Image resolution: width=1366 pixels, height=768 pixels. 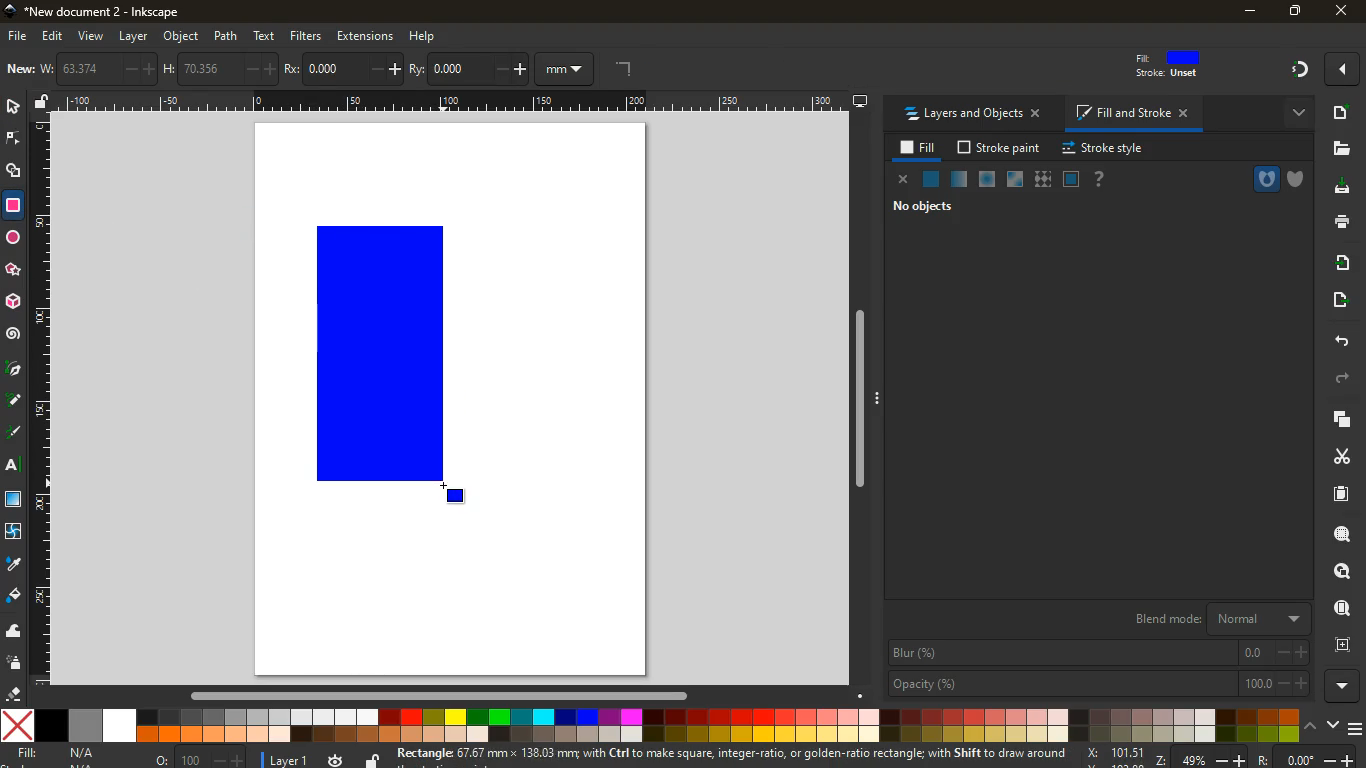 I want to click on text, so click(x=265, y=36).